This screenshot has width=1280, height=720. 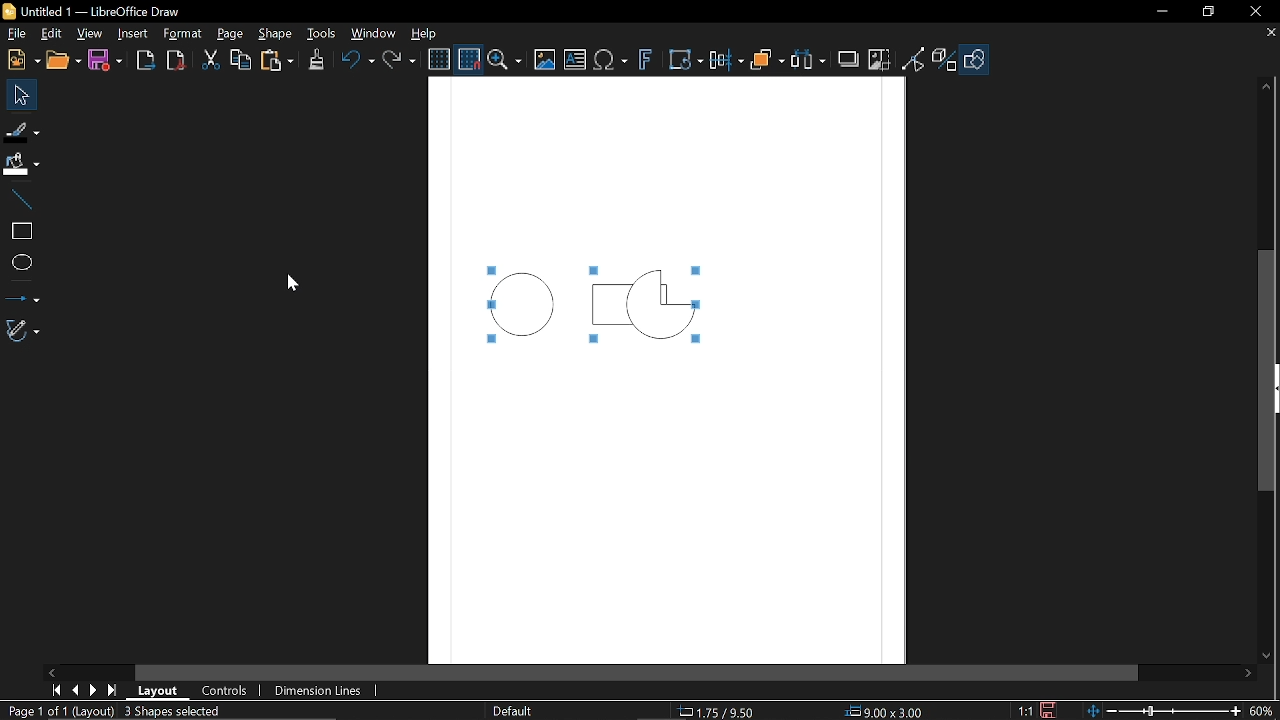 What do you see at coordinates (1254, 9) in the screenshot?
I see `Close window` at bounding box center [1254, 9].